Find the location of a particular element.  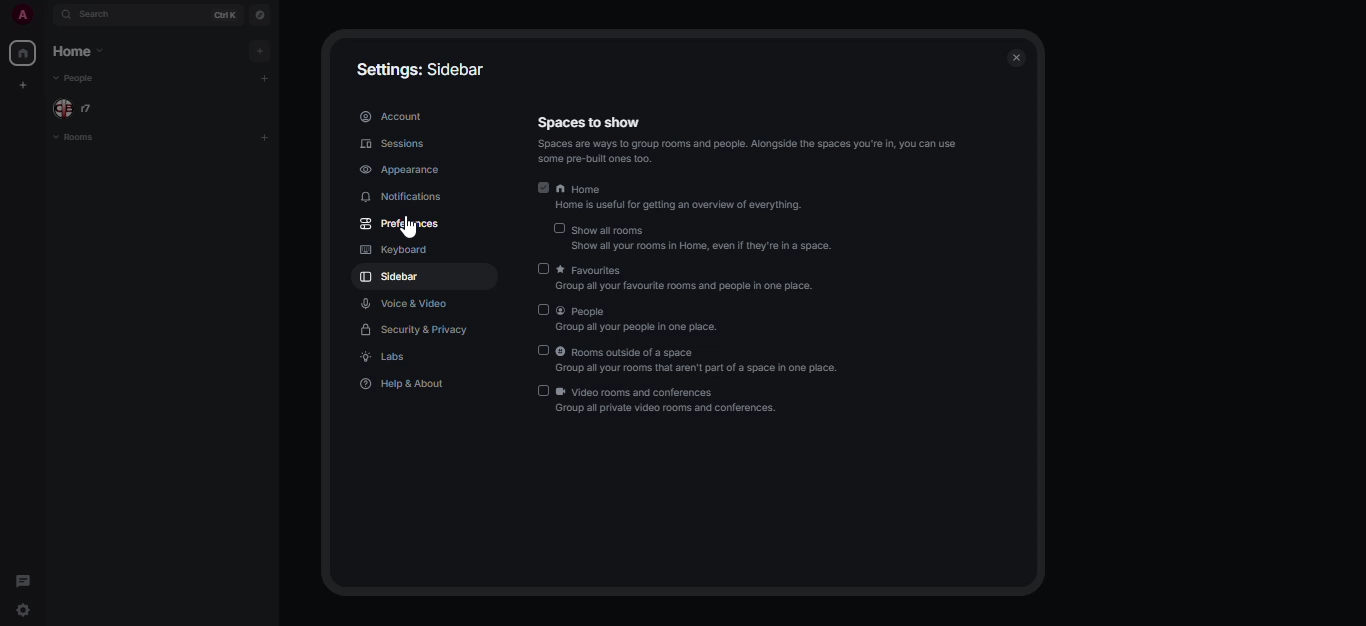

security & privacy is located at coordinates (410, 329).